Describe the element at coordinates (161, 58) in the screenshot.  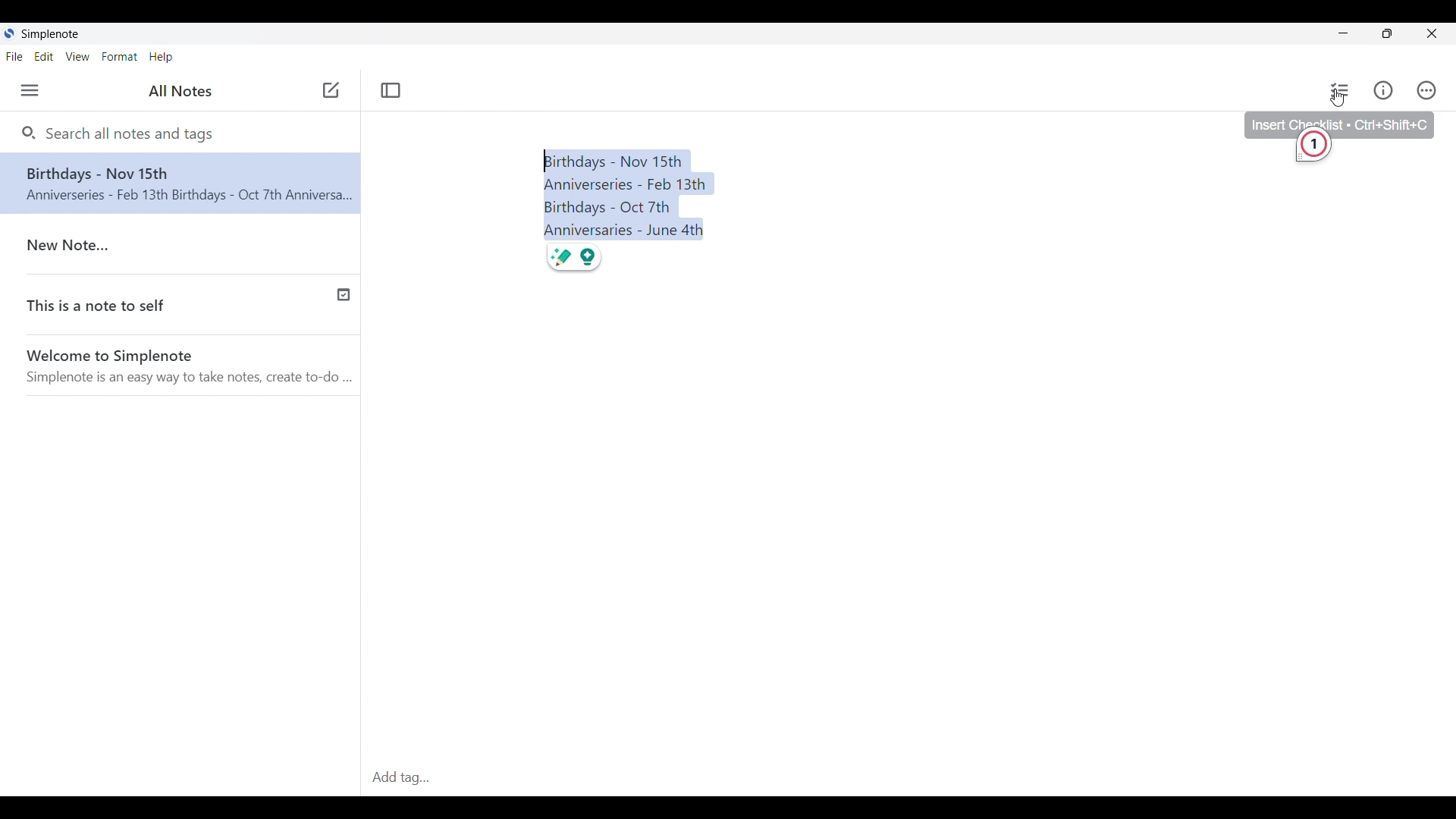
I see `Help menu` at that location.